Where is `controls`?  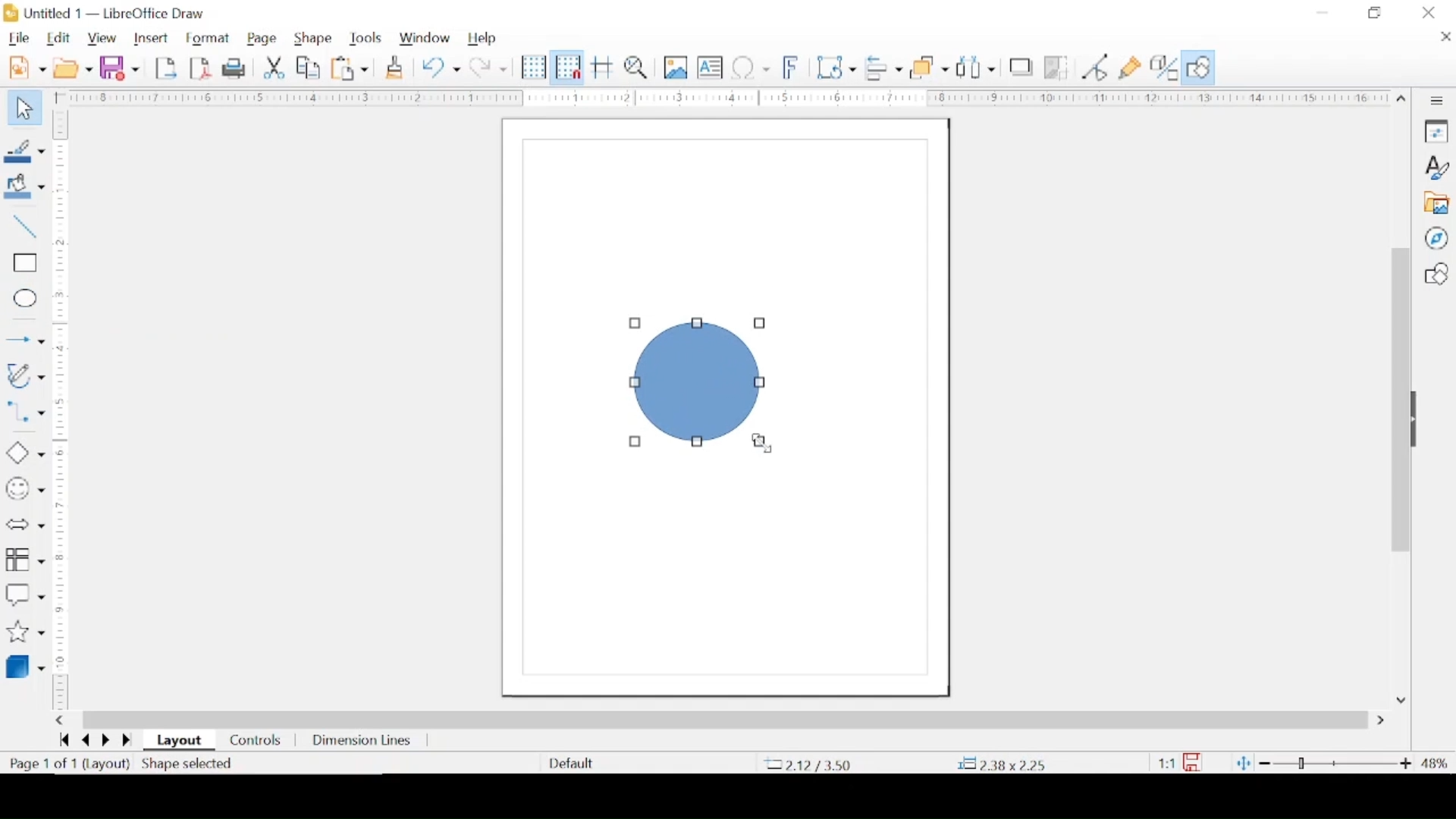 controls is located at coordinates (256, 739).